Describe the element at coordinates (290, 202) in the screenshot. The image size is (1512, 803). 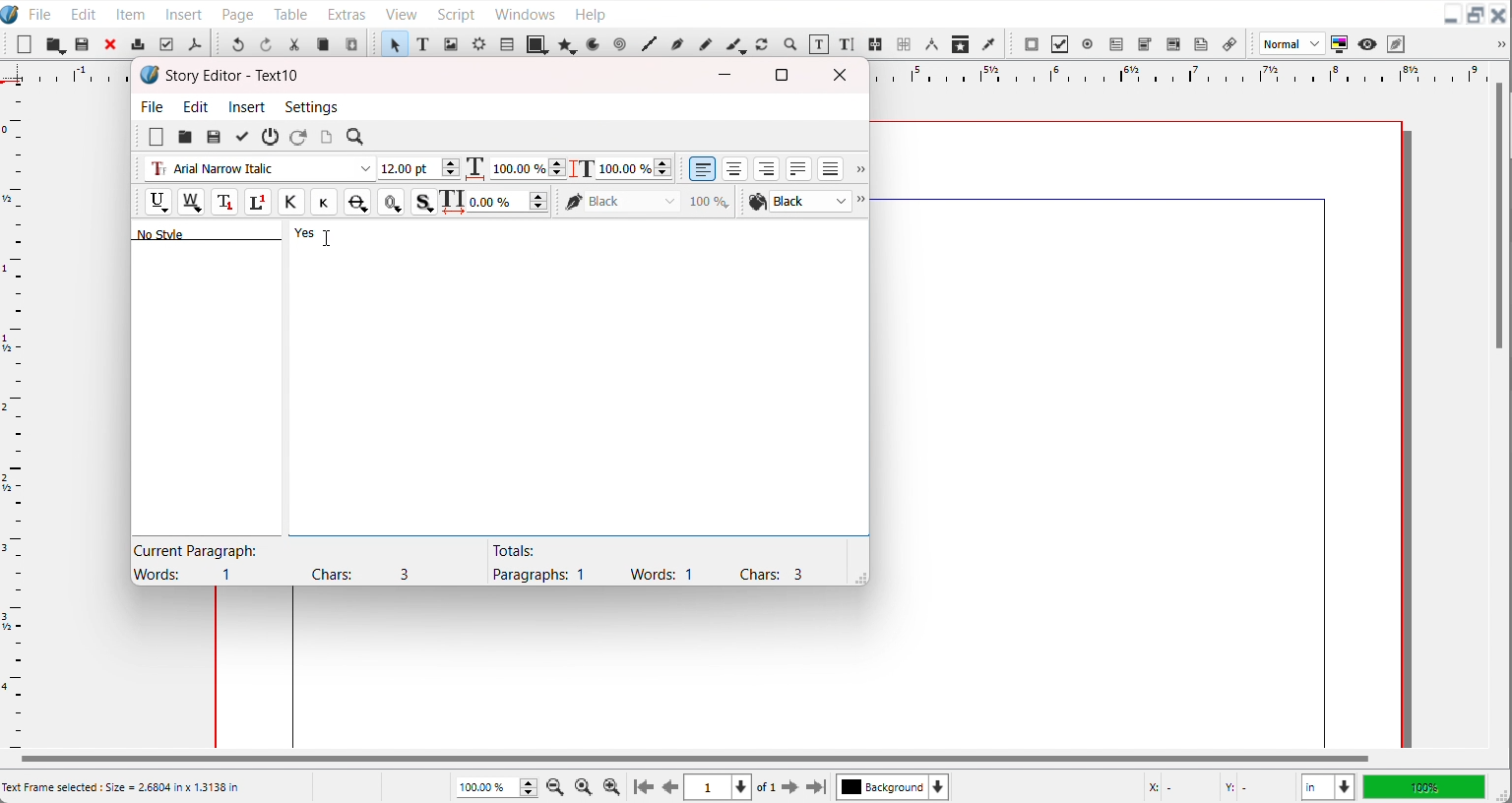
I see `All caps` at that location.